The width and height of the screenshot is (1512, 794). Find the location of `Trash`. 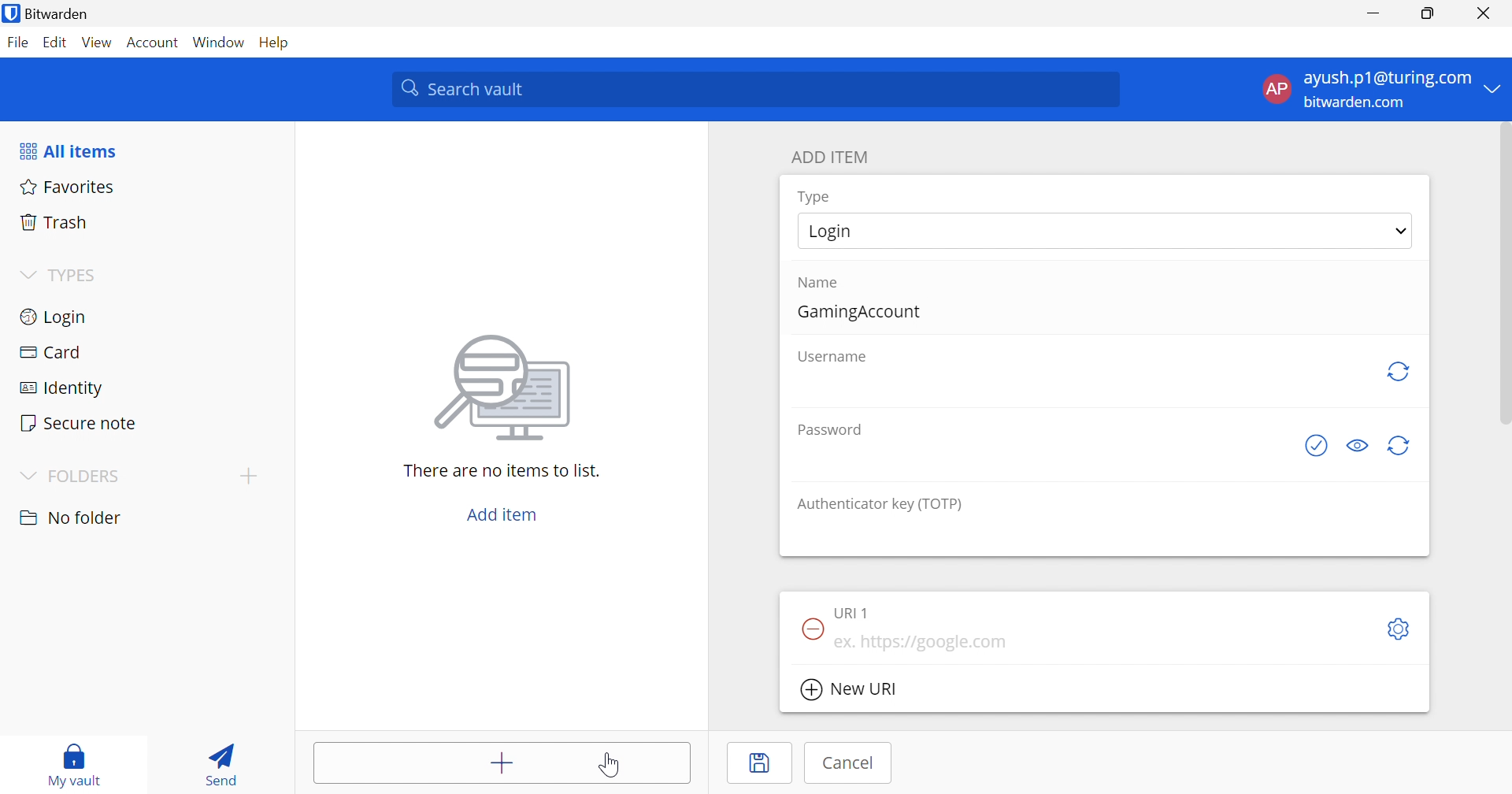

Trash is located at coordinates (59, 224).